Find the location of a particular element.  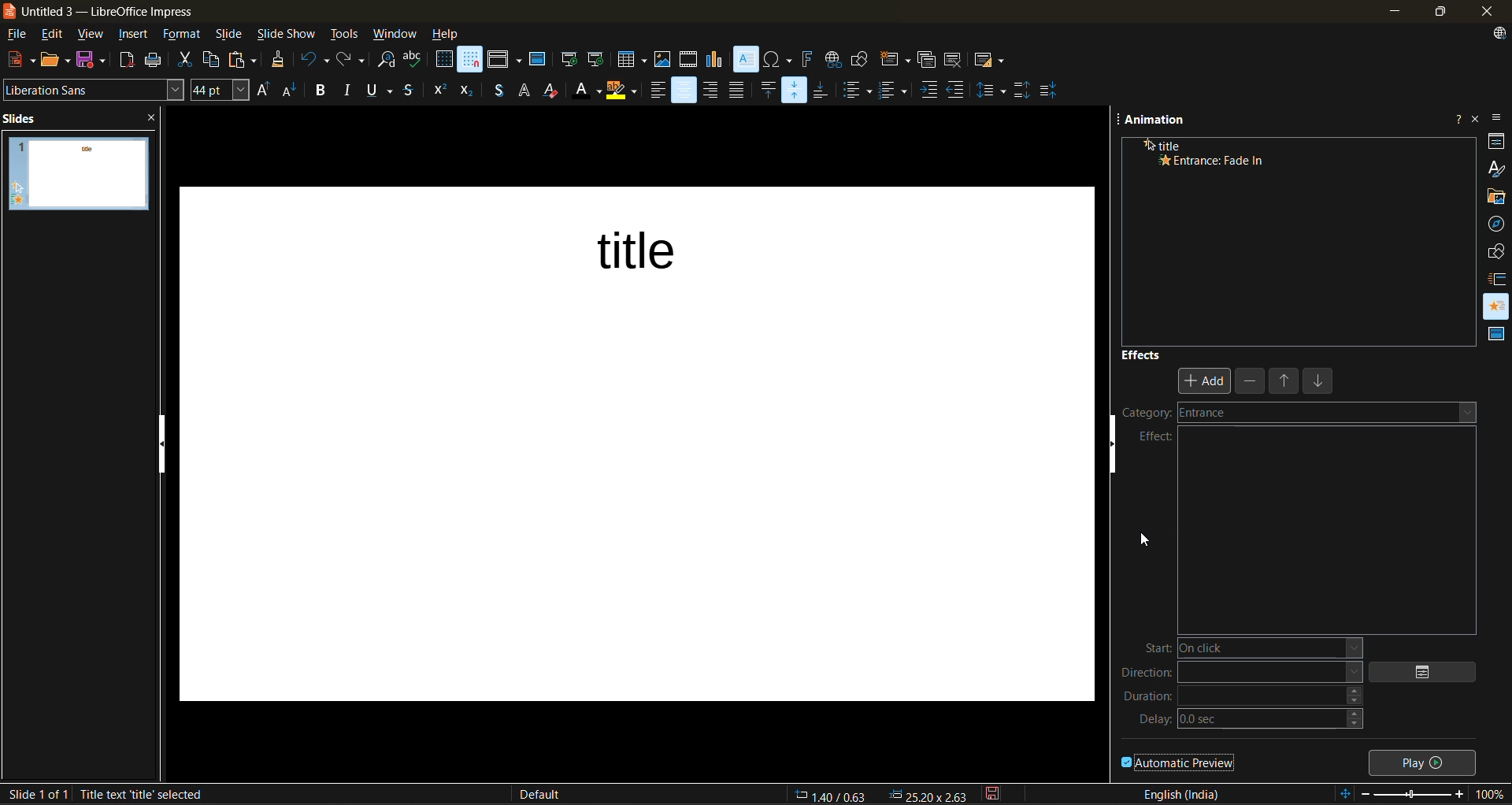

edit is located at coordinates (55, 34).